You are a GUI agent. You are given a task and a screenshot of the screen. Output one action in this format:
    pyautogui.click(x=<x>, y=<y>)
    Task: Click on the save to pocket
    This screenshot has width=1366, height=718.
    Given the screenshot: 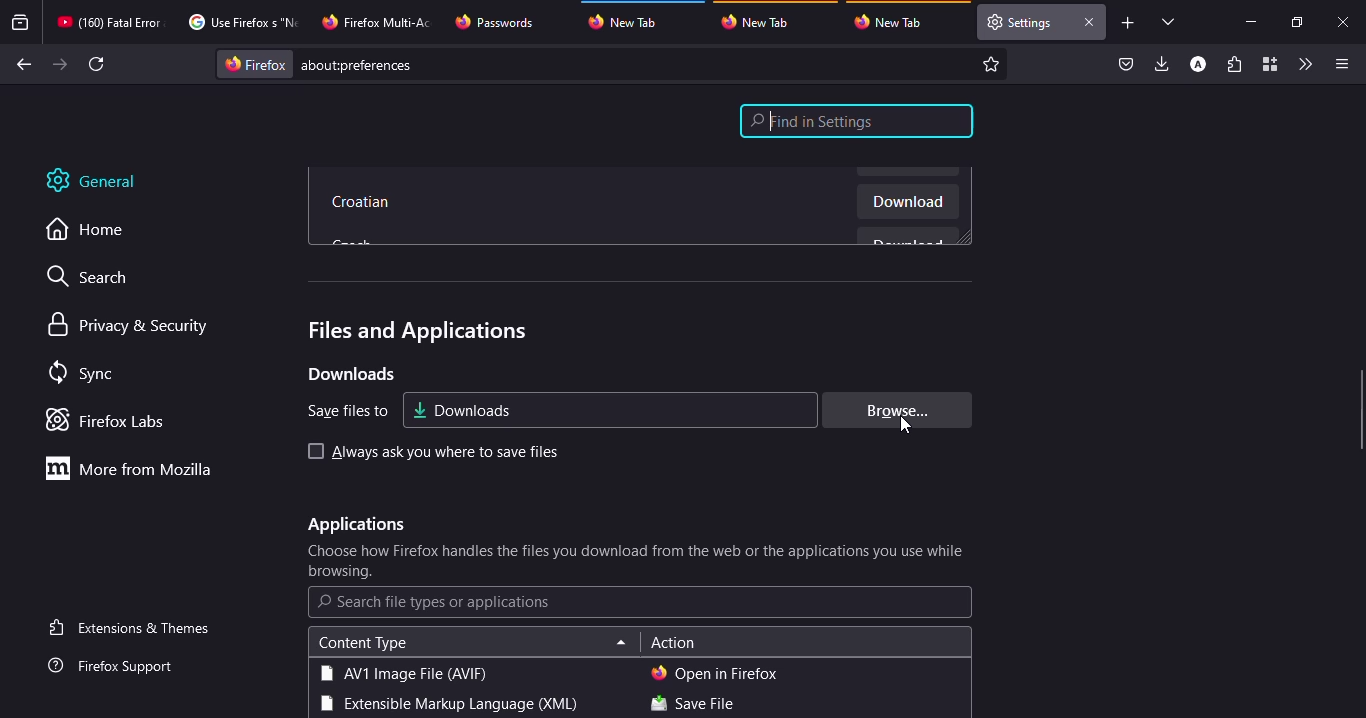 What is the action you would take?
    pyautogui.click(x=1126, y=65)
    